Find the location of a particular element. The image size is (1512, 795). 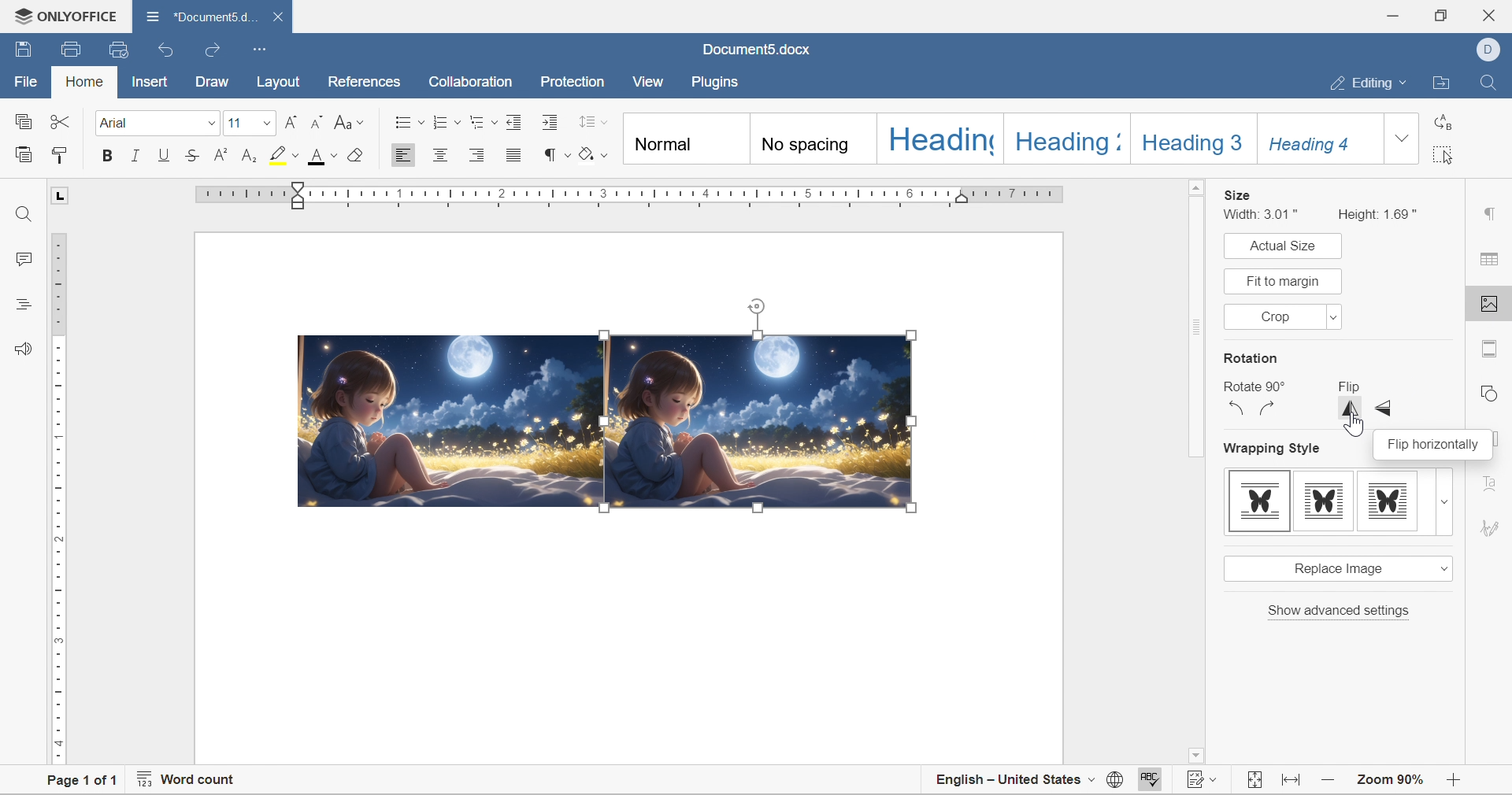

Align center is located at coordinates (443, 154).